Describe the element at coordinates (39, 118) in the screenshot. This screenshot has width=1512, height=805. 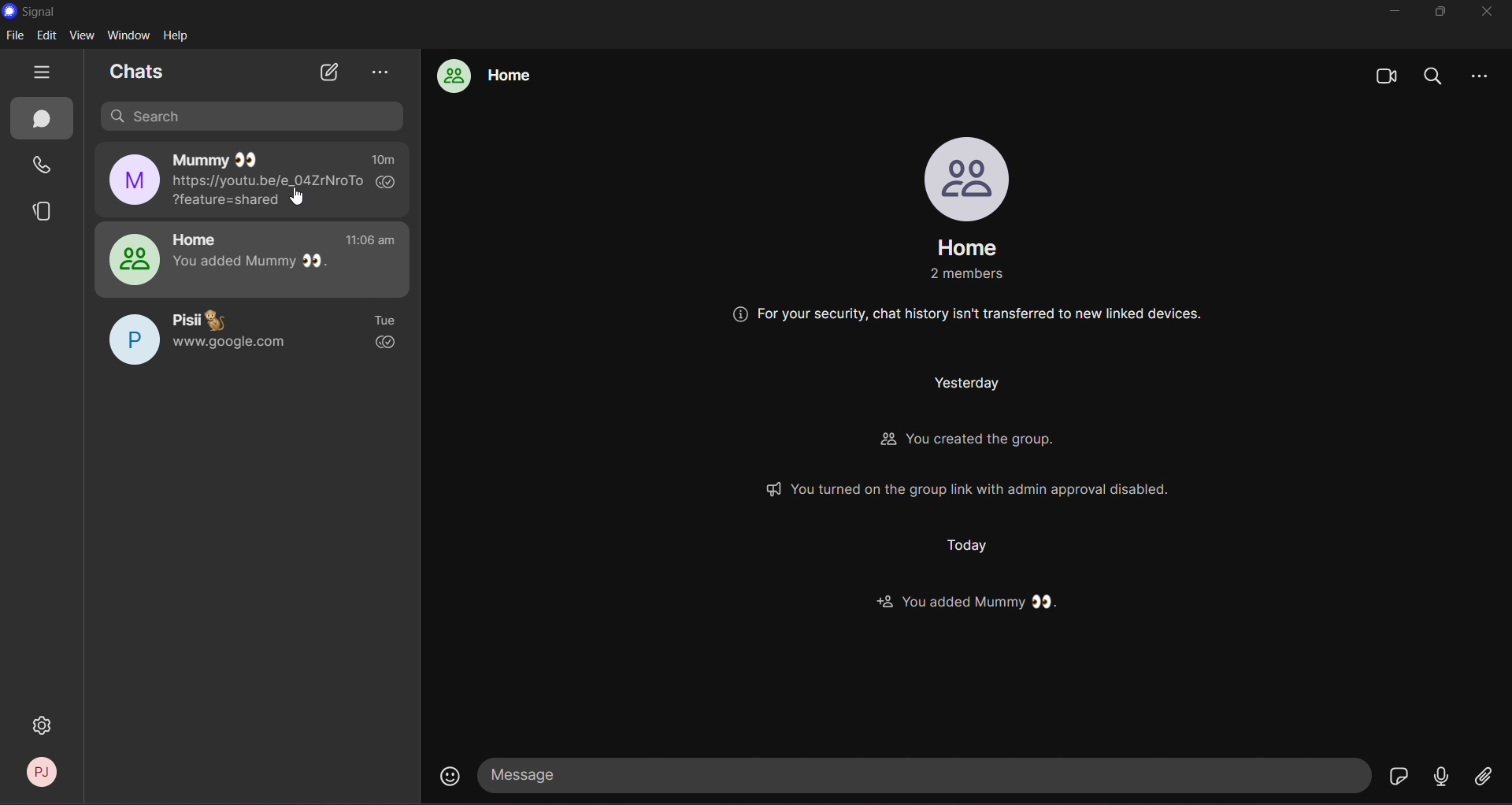
I see `chats` at that location.